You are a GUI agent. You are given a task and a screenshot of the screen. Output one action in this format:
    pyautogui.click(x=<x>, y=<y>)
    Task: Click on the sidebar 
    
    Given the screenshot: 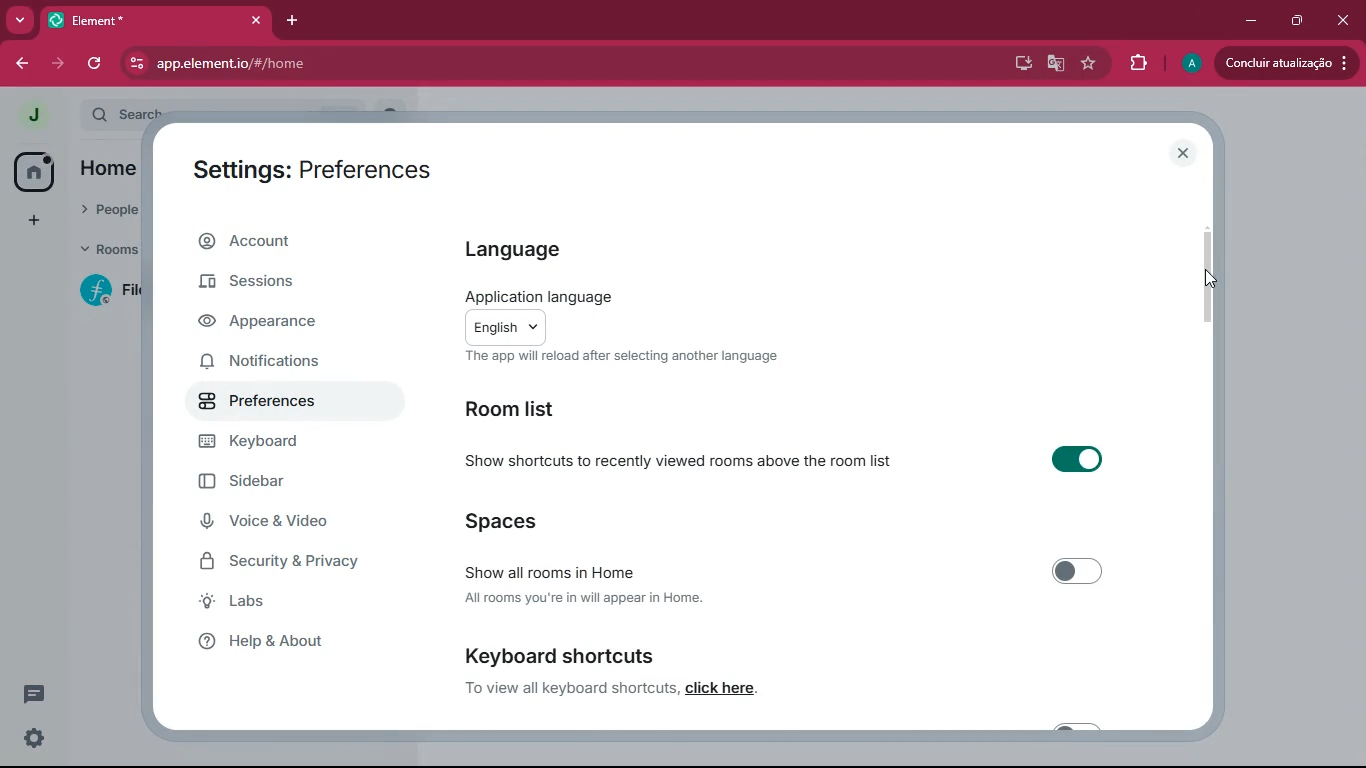 What is the action you would take?
    pyautogui.click(x=284, y=484)
    